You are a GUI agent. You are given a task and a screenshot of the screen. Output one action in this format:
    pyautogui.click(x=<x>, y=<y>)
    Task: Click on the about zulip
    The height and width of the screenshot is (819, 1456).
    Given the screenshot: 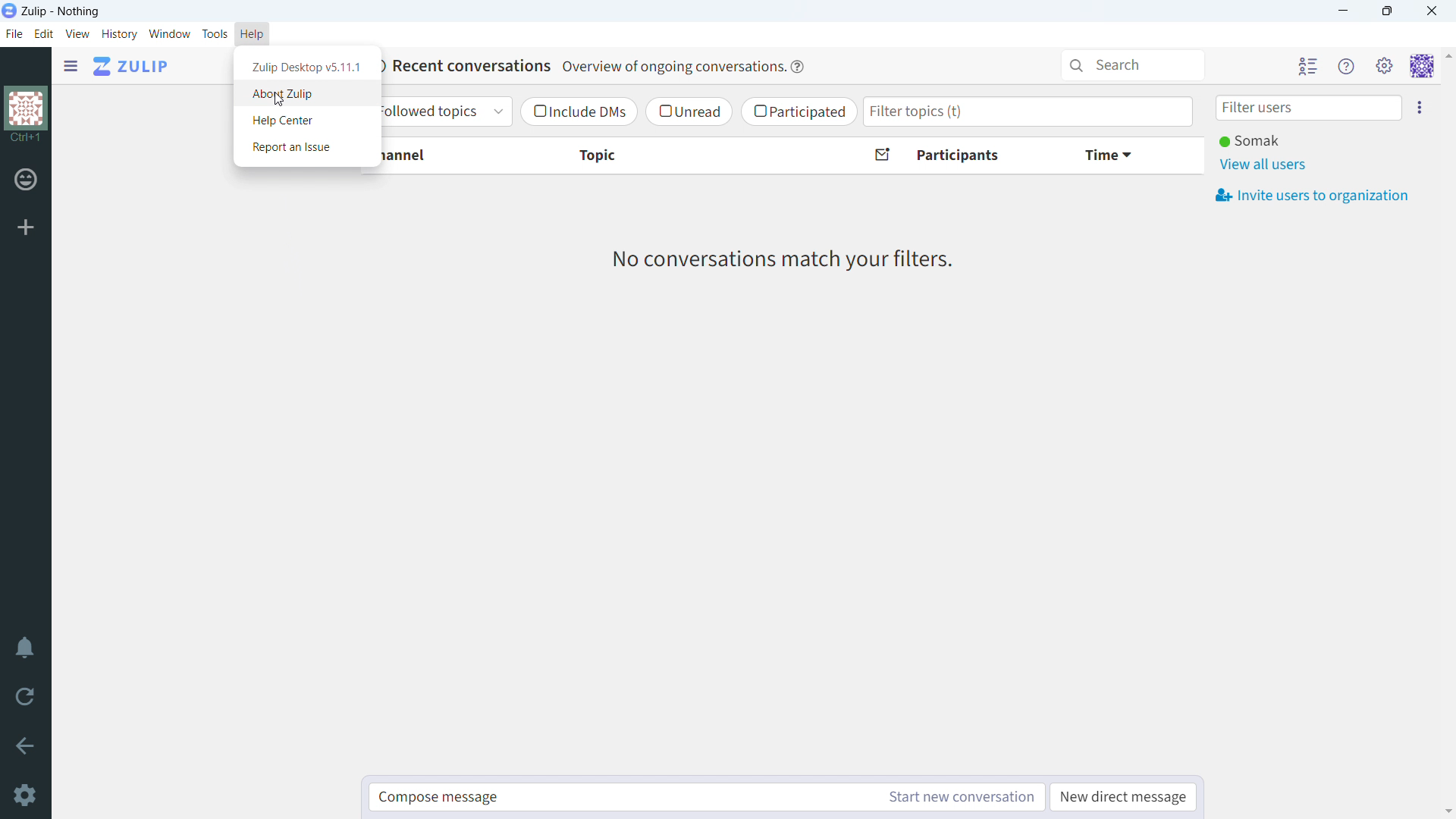 What is the action you would take?
    pyautogui.click(x=300, y=96)
    